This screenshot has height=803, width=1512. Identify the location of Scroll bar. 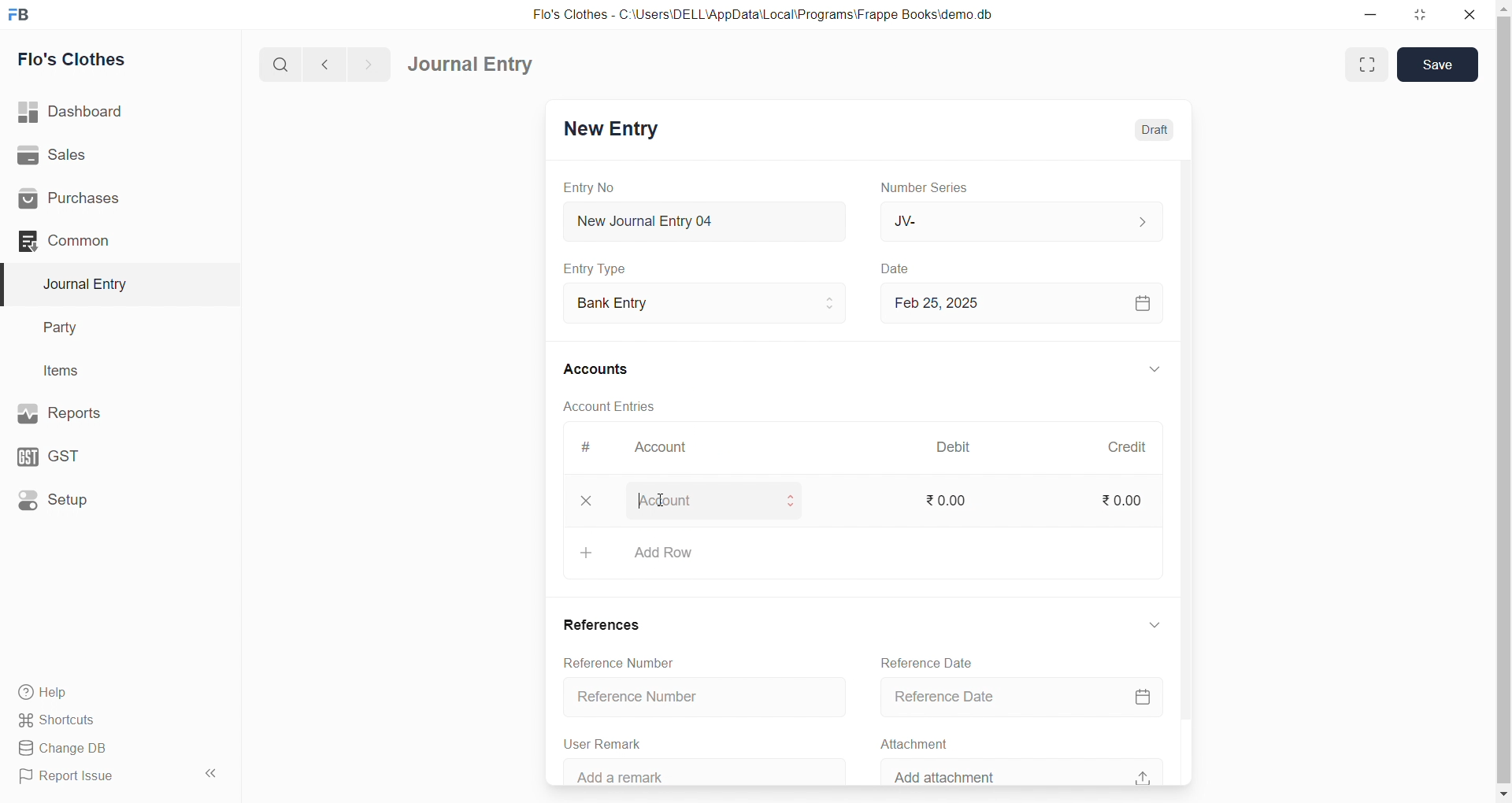
(1191, 472).